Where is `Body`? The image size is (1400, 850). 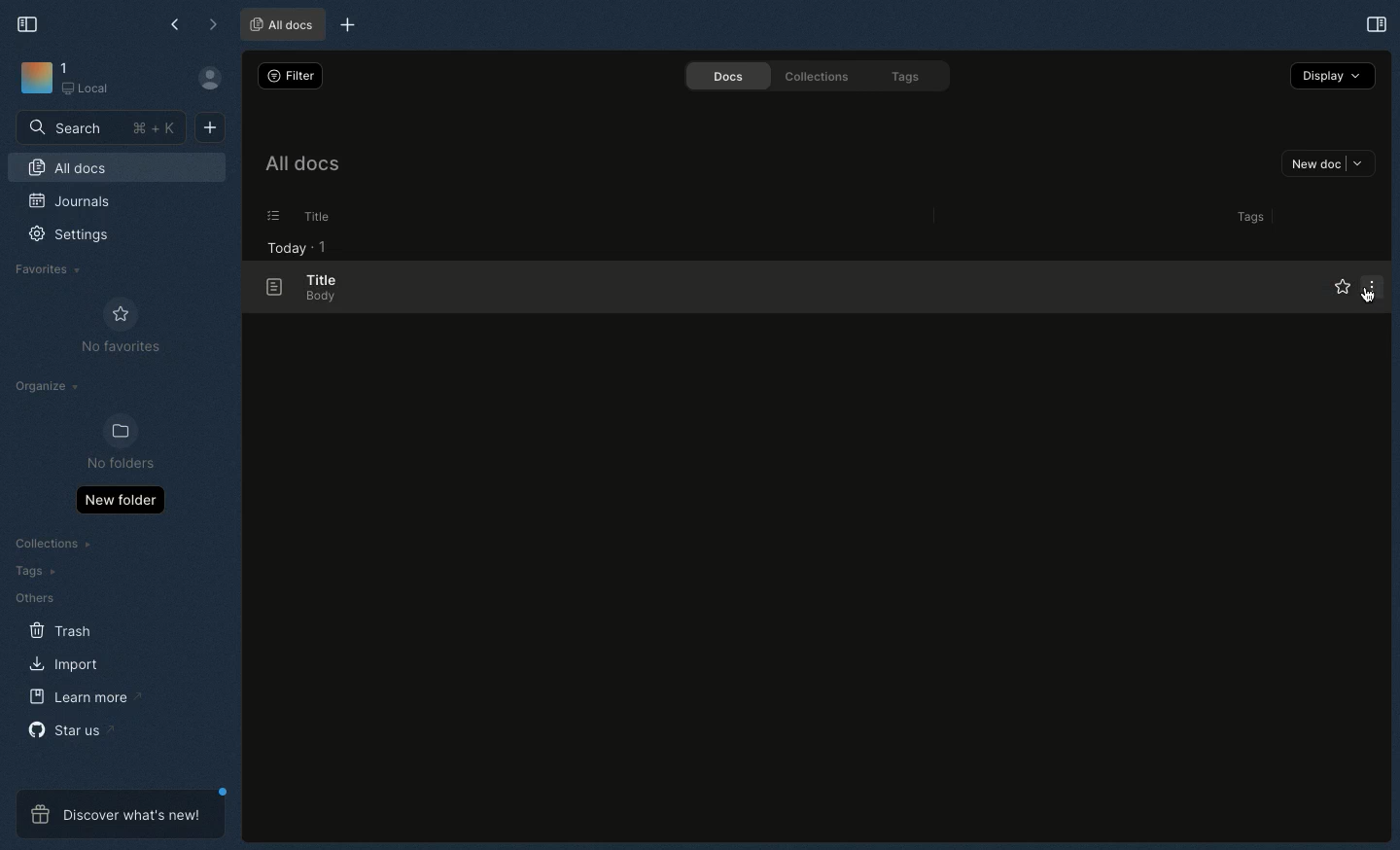 Body is located at coordinates (314, 298).